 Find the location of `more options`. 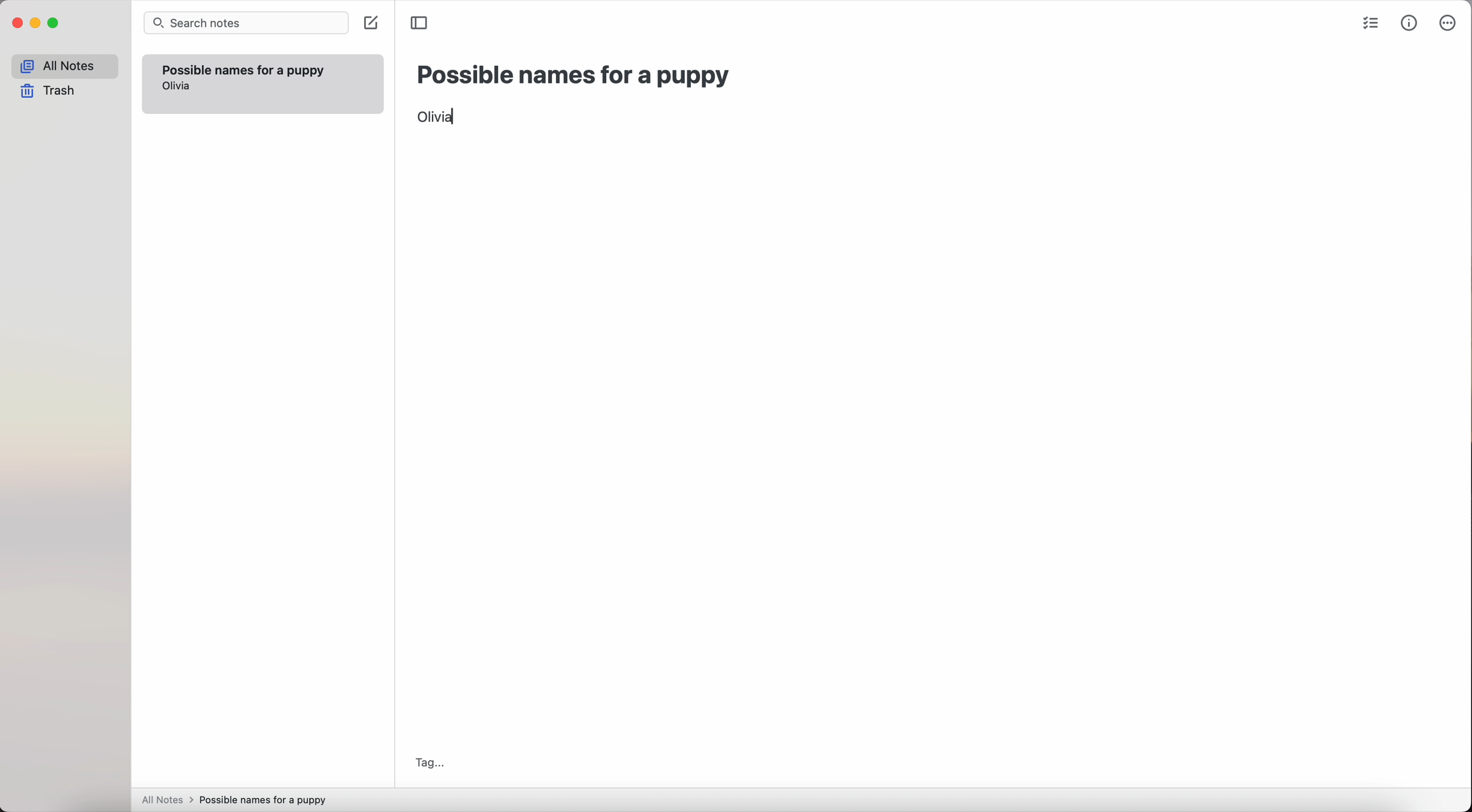

more options is located at coordinates (1449, 24).